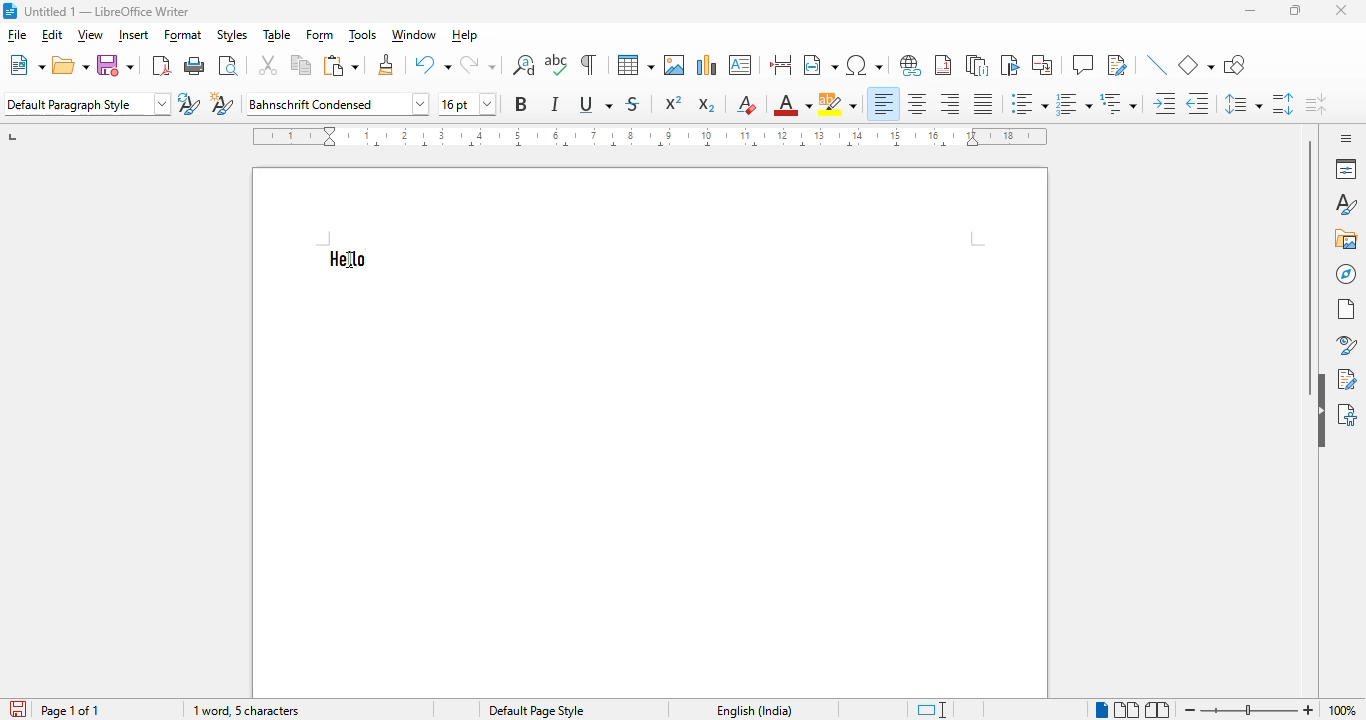  What do you see at coordinates (1347, 379) in the screenshot?
I see `manage changes` at bounding box center [1347, 379].